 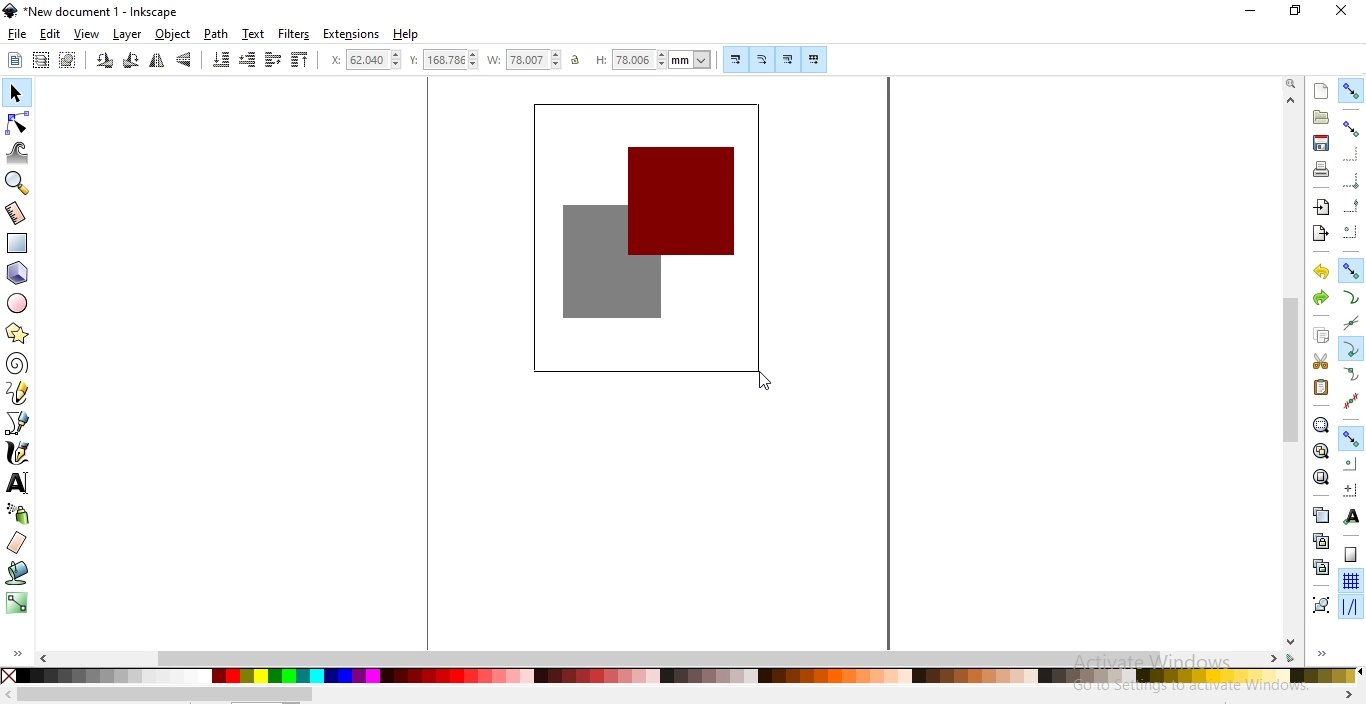 What do you see at coordinates (17, 213) in the screenshot?
I see `measurement tool` at bounding box center [17, 213].